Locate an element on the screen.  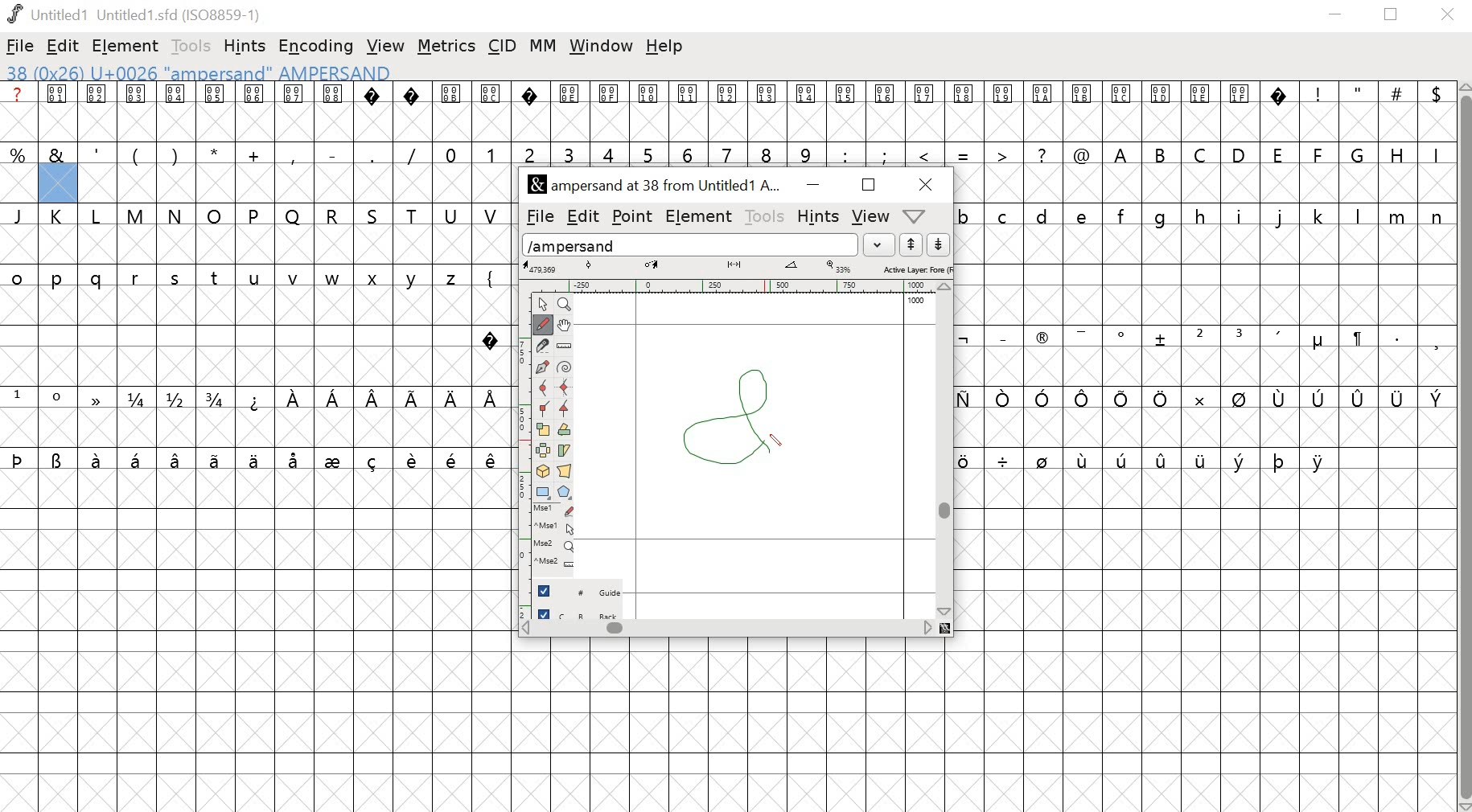
help is located at coordinates (667, 47).